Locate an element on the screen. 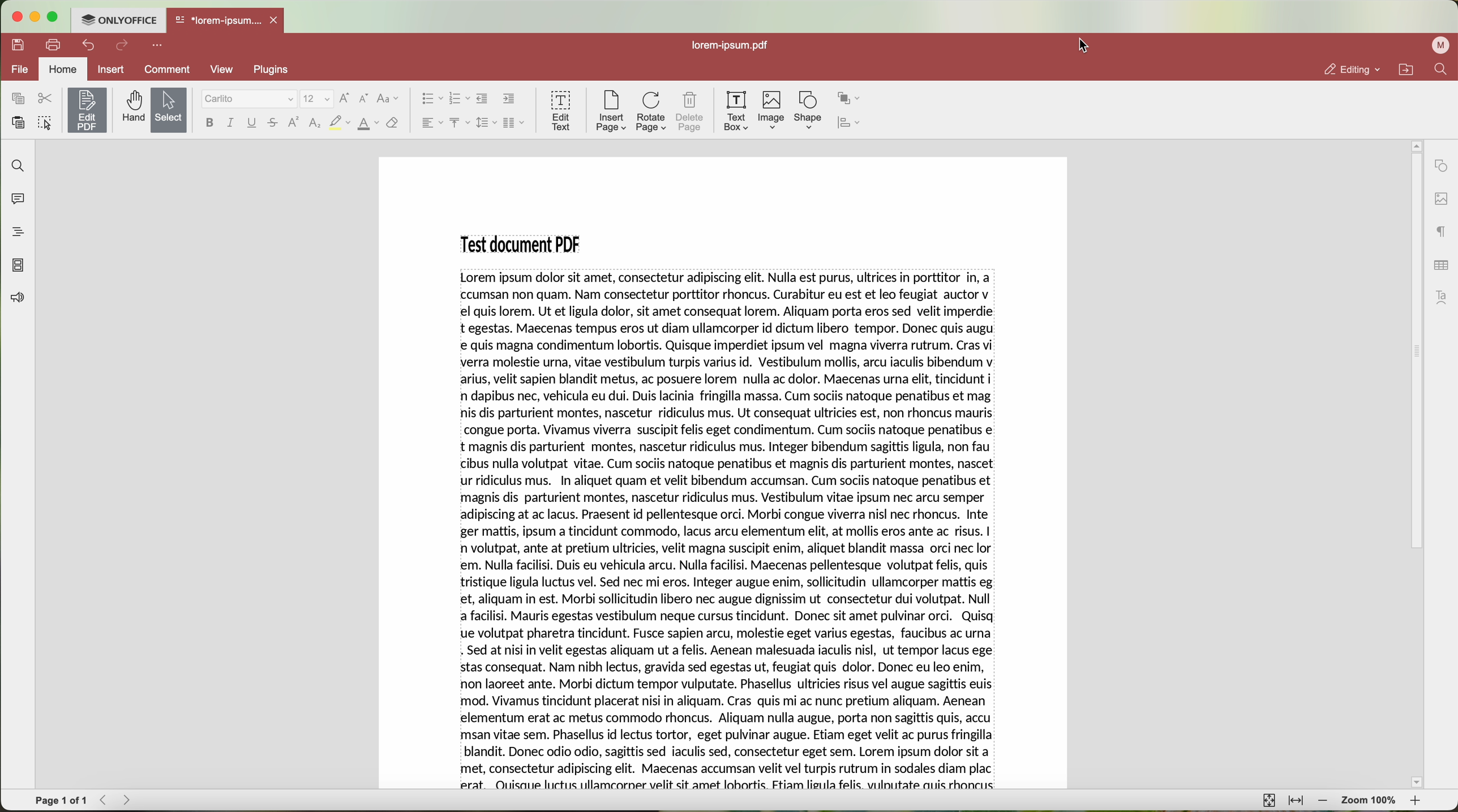 The height and width of the screenshot is (812, 1458). lorem-ipsum.pdf is located at coordinates (728, 46).